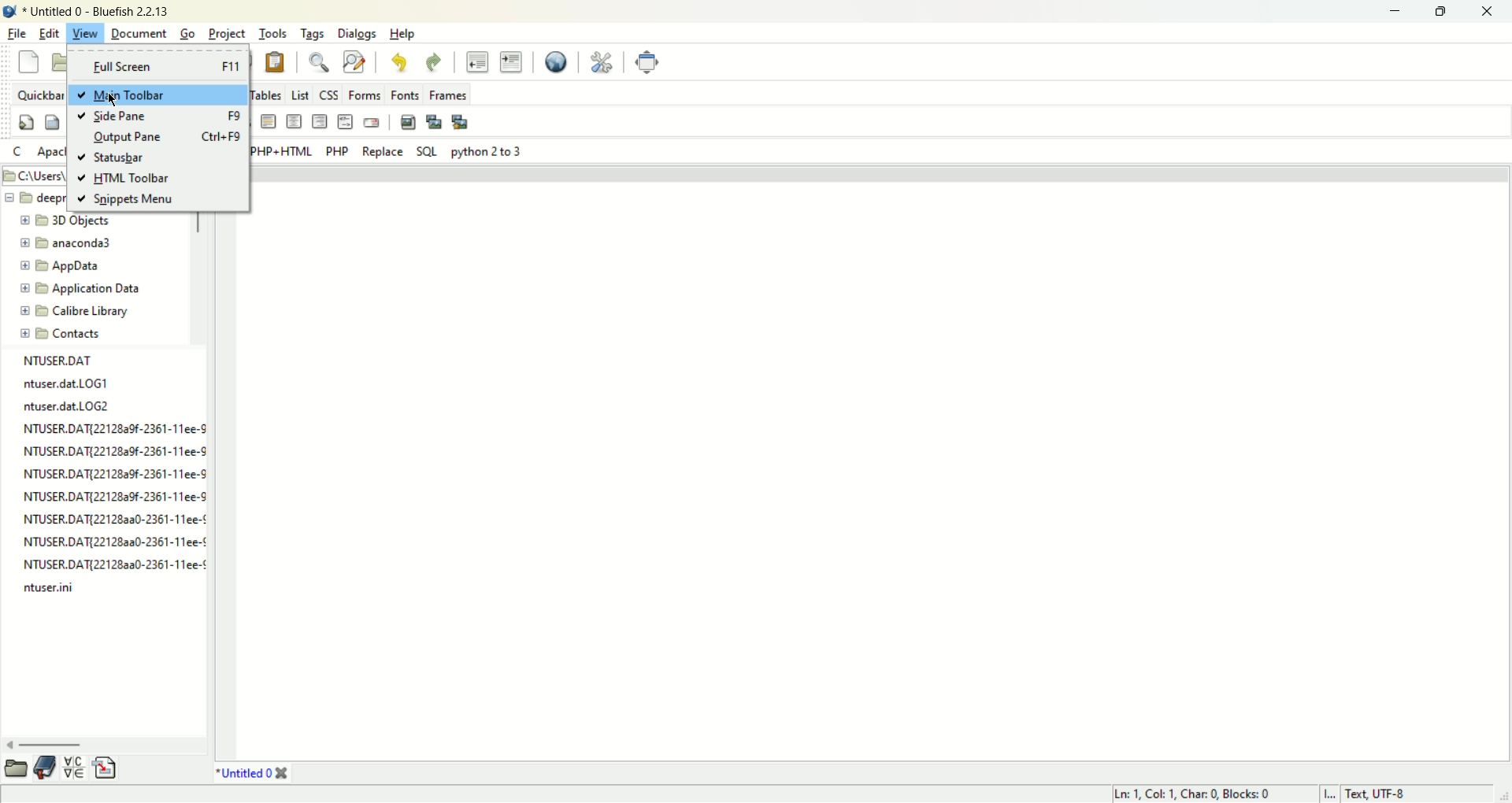 The width and height of the screenshot is (1512, 803). What do you see at coordinates (1443, 12) in the screenshot?
I see `maximize` at bounding box center [1443, 12].